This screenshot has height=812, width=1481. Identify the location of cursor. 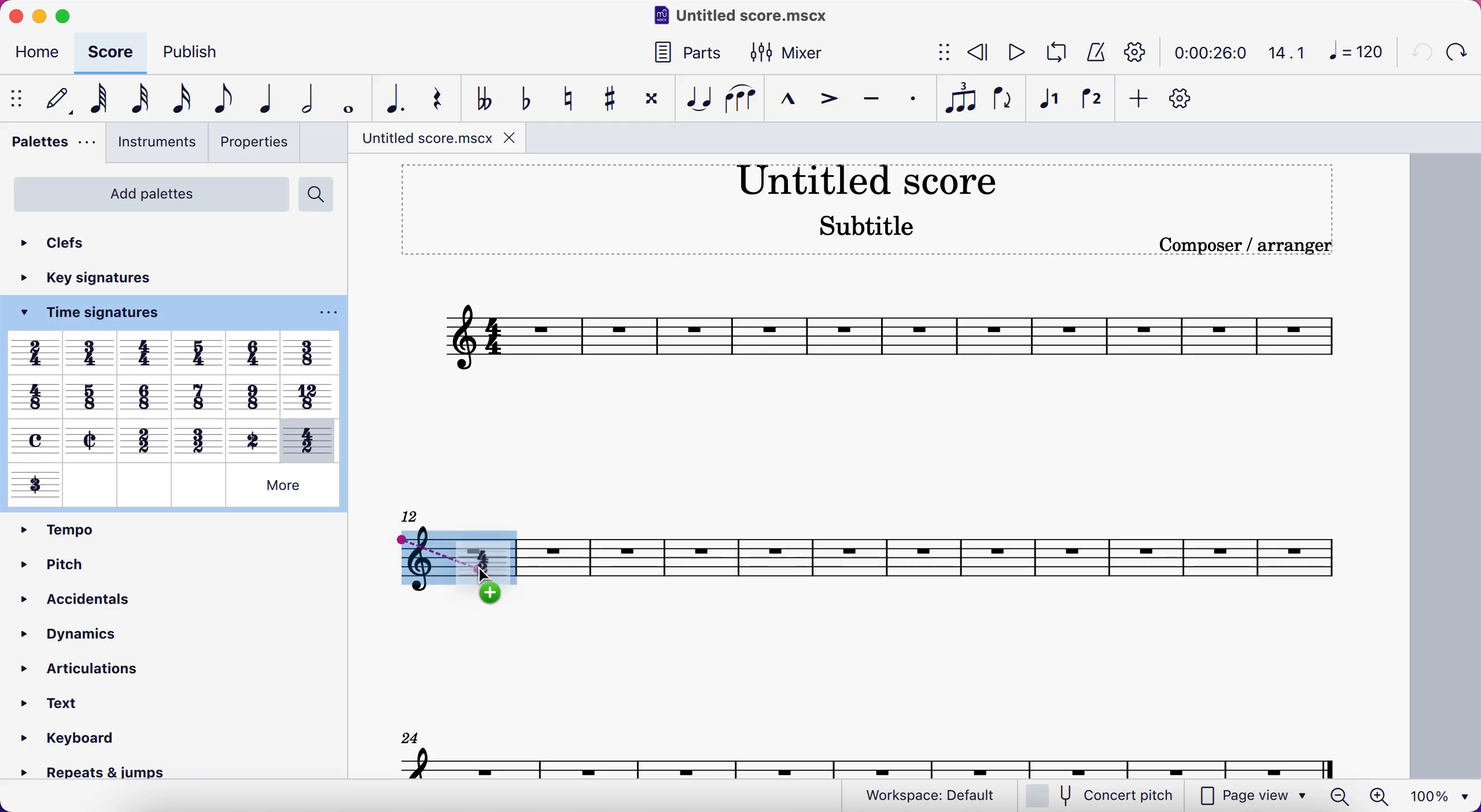
(487, 577).